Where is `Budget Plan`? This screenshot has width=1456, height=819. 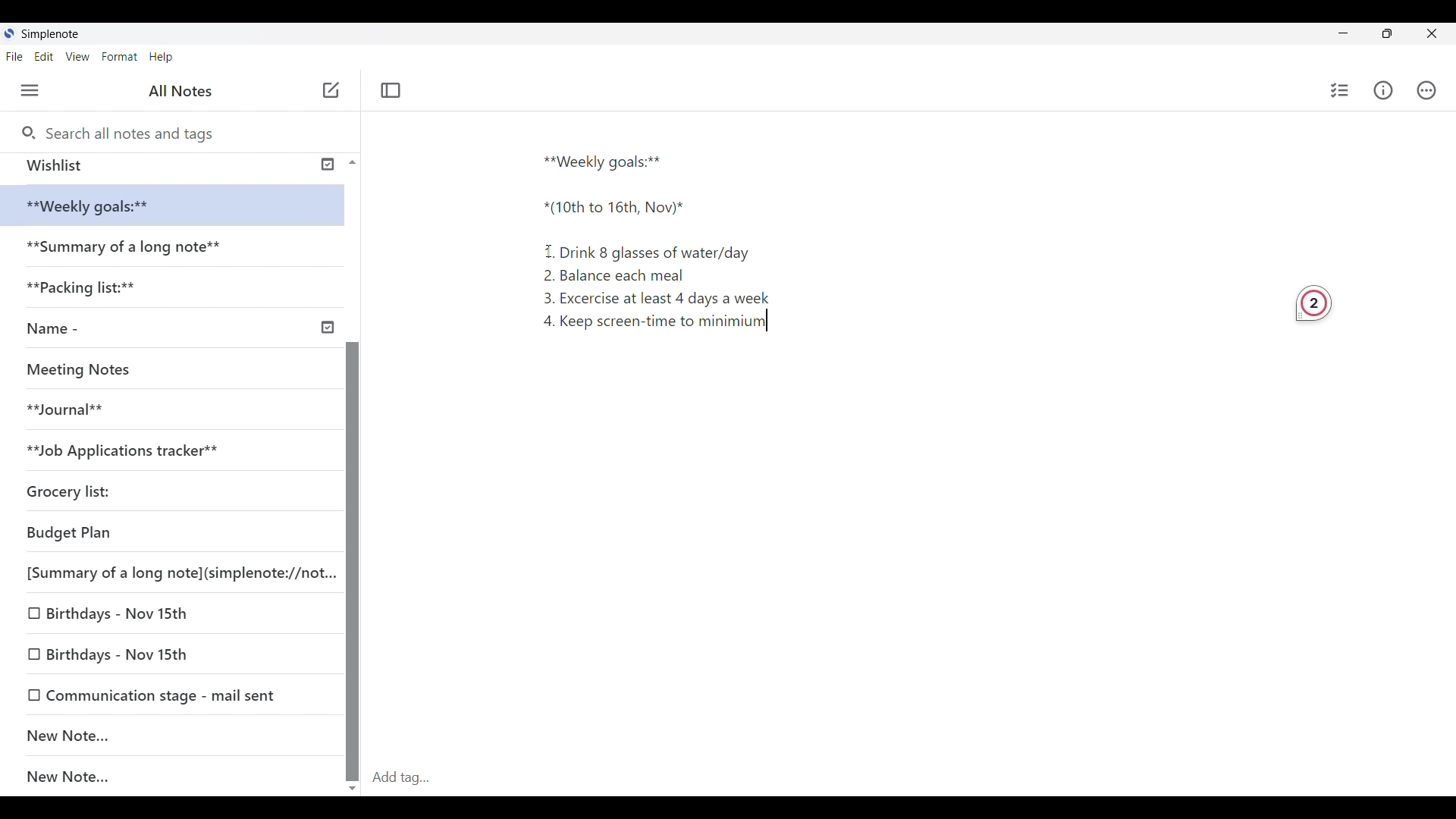 Budget Plan is located at coordinates (143, 529).